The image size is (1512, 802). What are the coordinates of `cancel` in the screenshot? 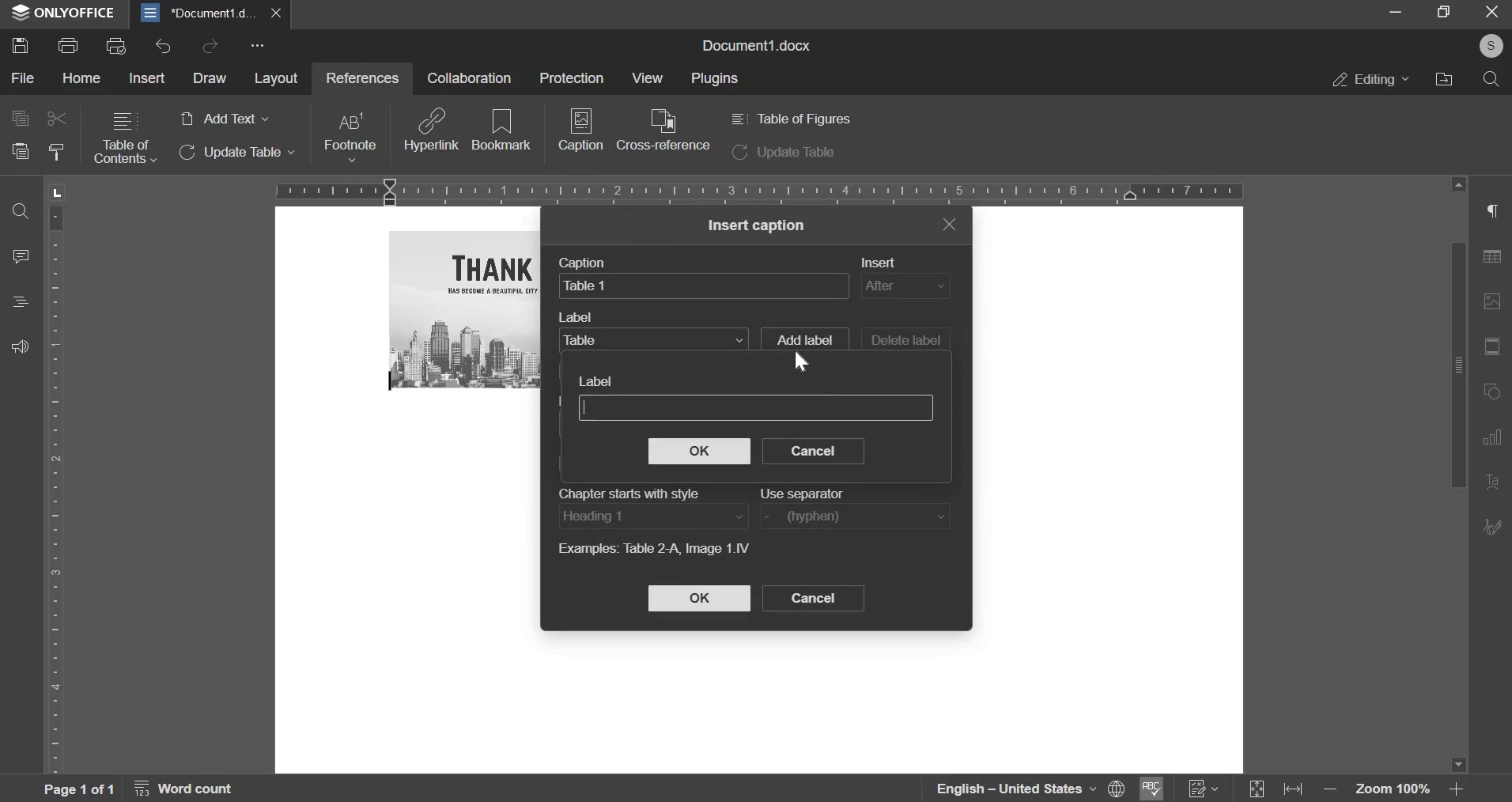 It's located at (812, 451).